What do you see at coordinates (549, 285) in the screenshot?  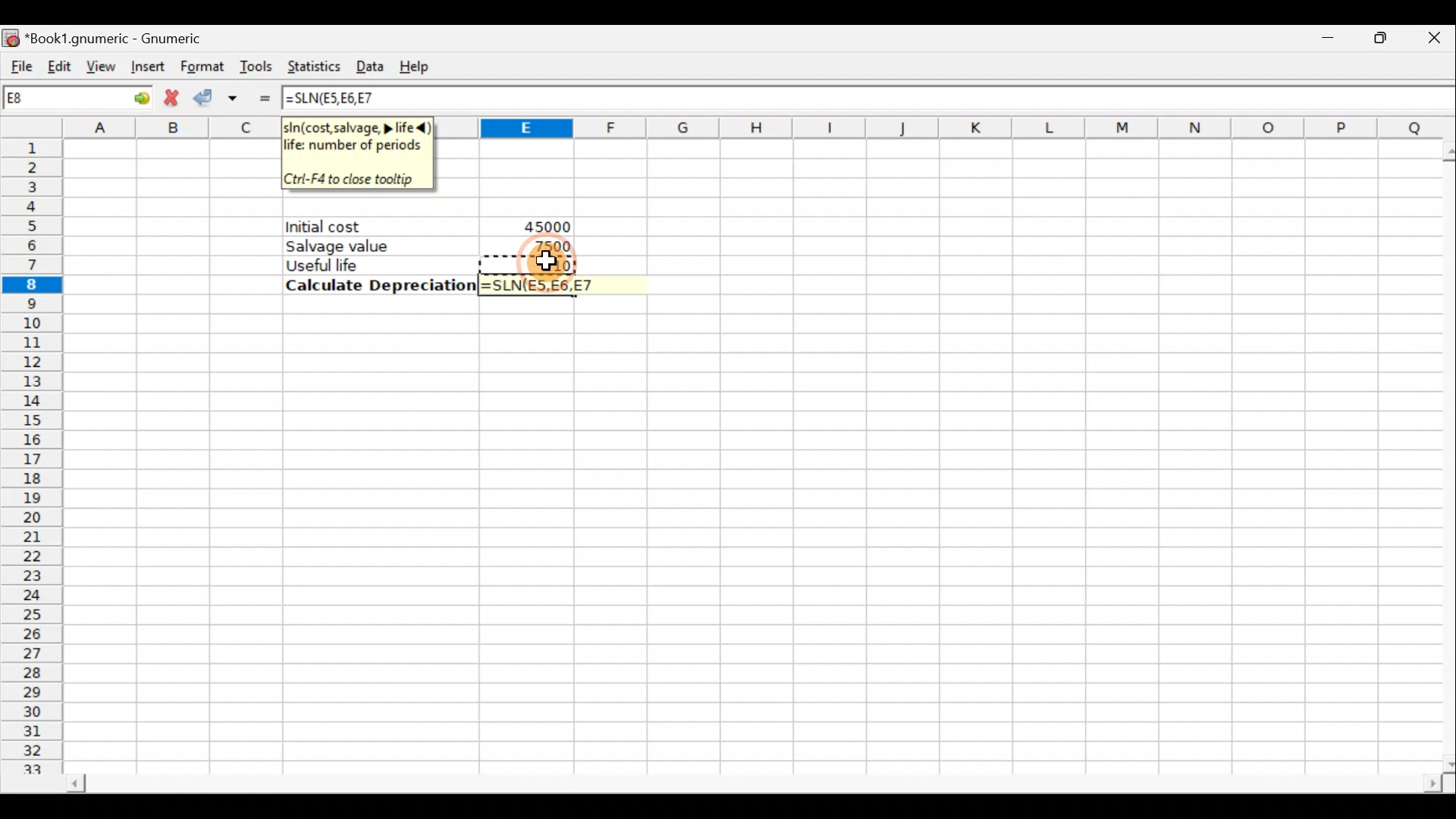 I see `=SLN(E5,E6,E7` at bounding box center [549, 285].